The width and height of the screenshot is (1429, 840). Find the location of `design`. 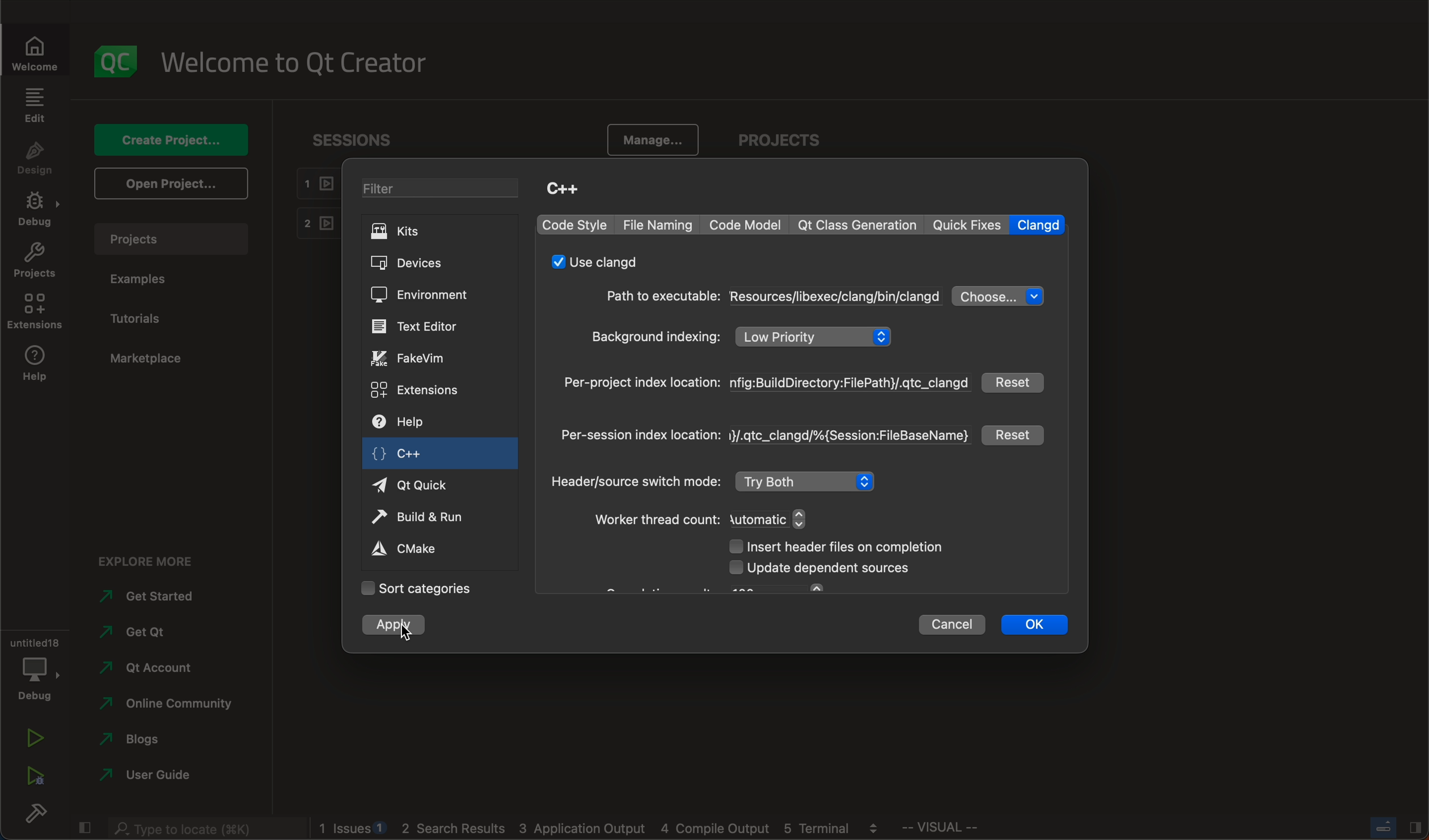

design is located at coordinates (39, 160).